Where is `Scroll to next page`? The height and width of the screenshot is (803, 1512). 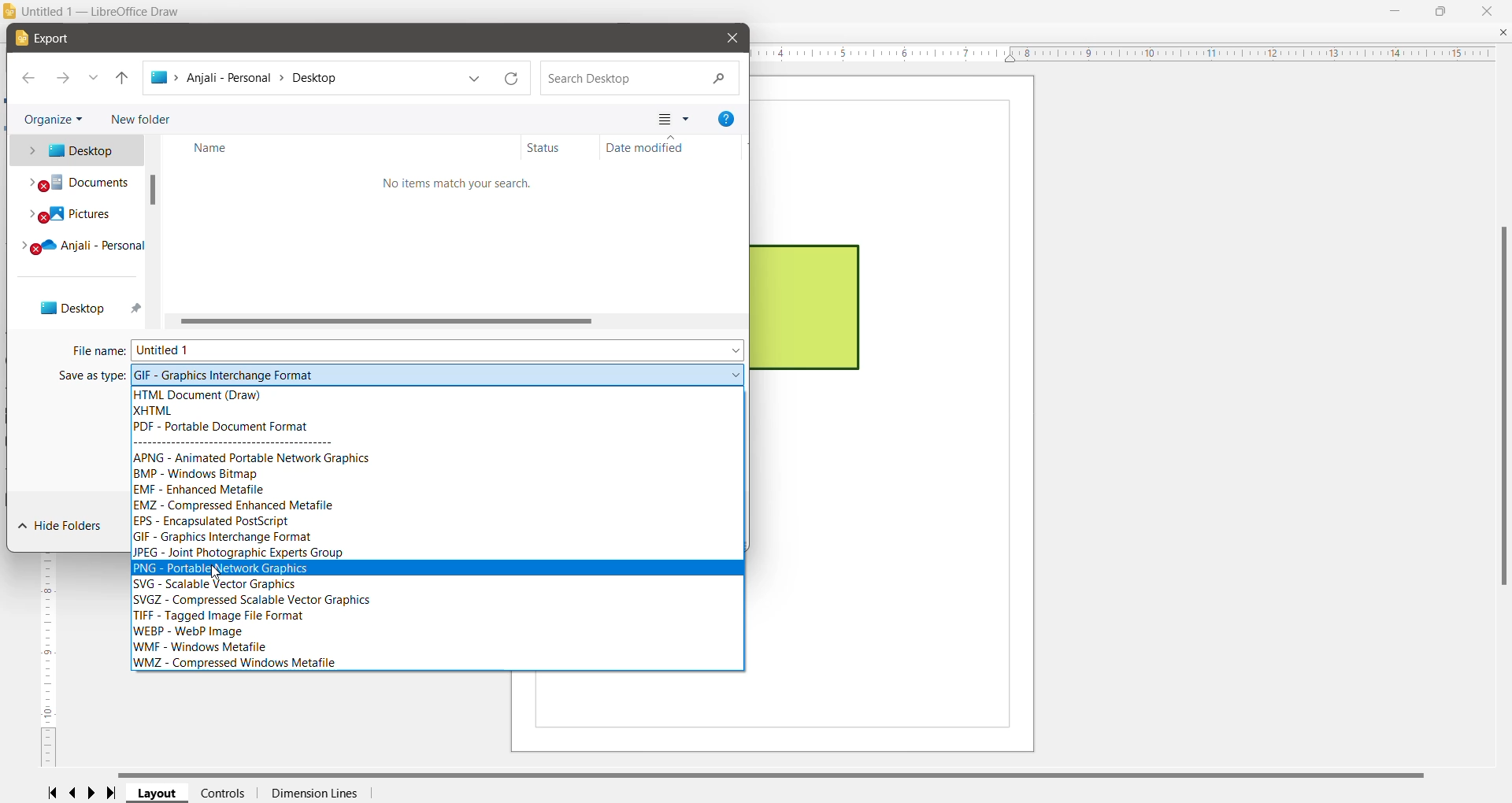 Scroll to next page is located at coordinates (95, 793).